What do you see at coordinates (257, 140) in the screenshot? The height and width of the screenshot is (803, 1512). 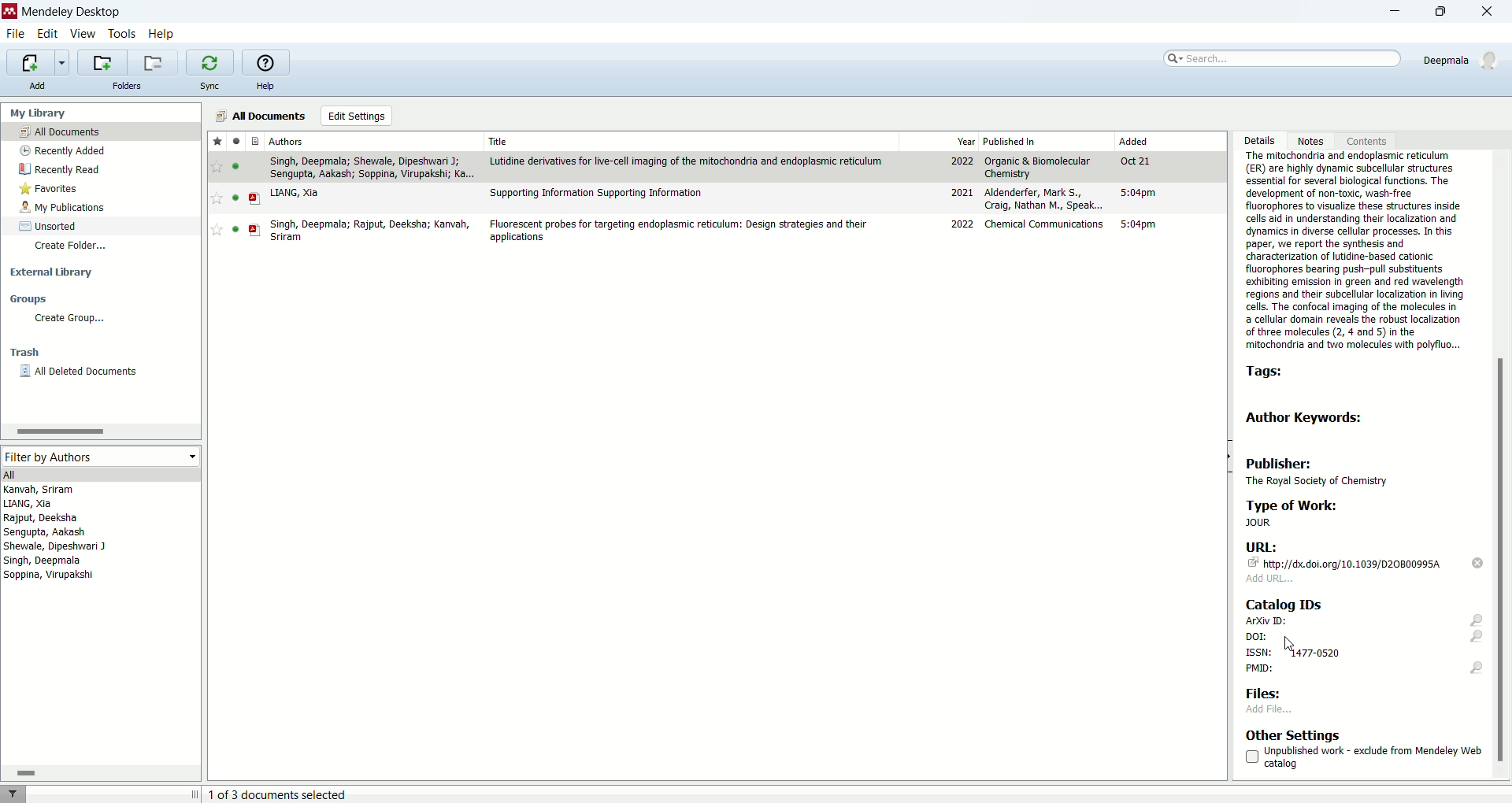 I see `document type` at bounding box center [257, 140].